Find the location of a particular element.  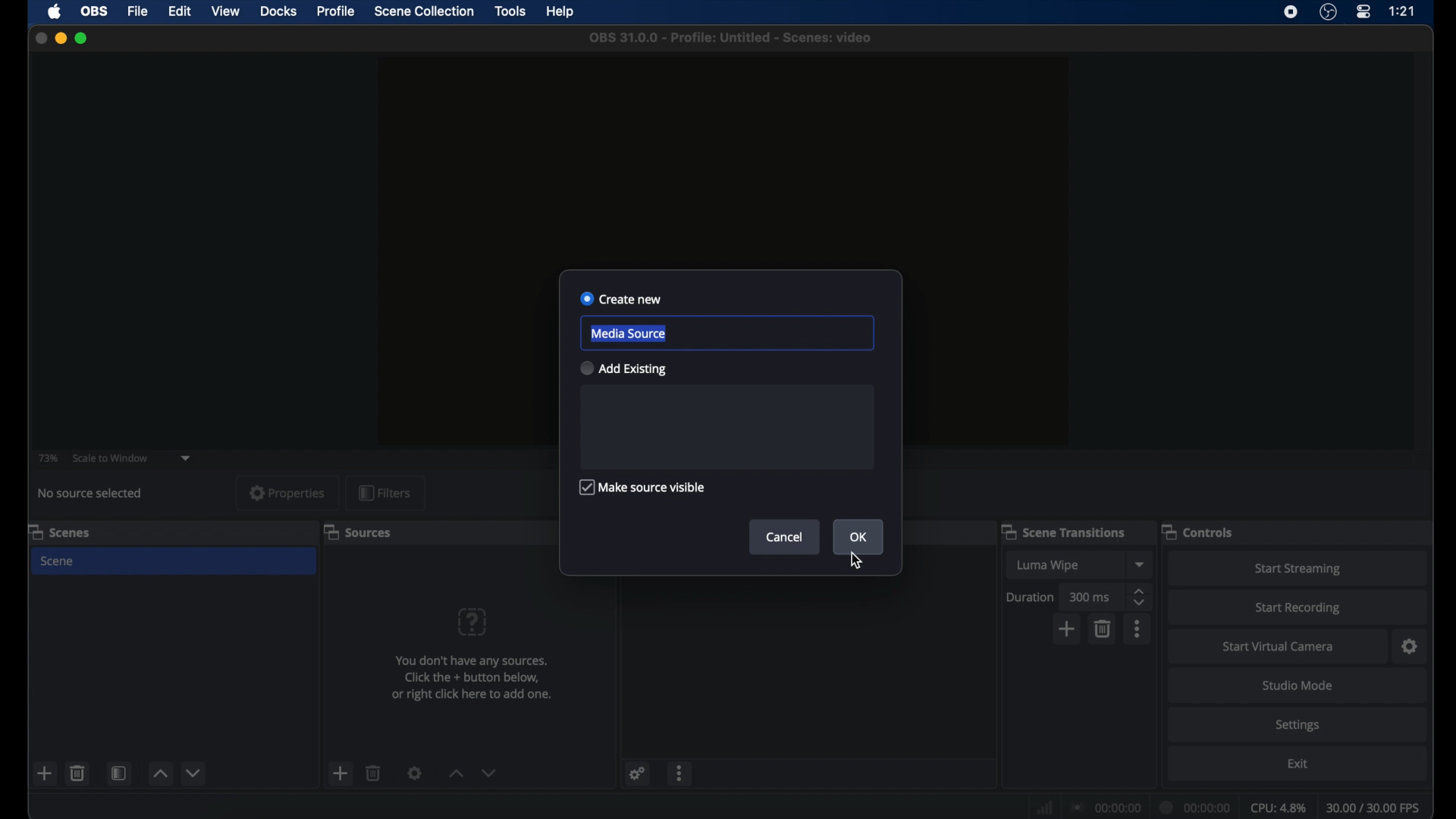

mediasource is located at coordinates (628, 332).